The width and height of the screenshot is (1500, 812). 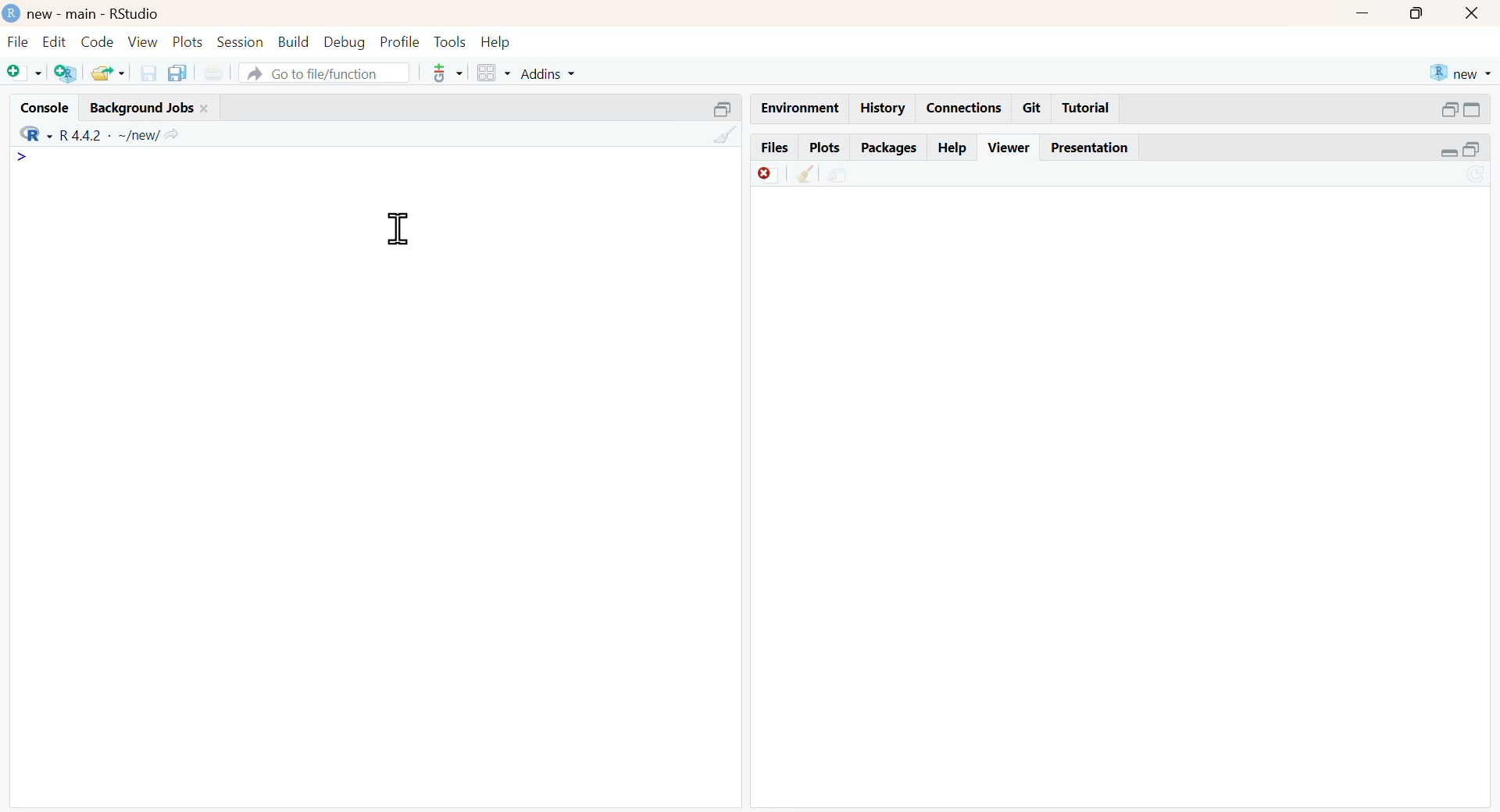 I want to click on Tools, so click(x=448, y=40).